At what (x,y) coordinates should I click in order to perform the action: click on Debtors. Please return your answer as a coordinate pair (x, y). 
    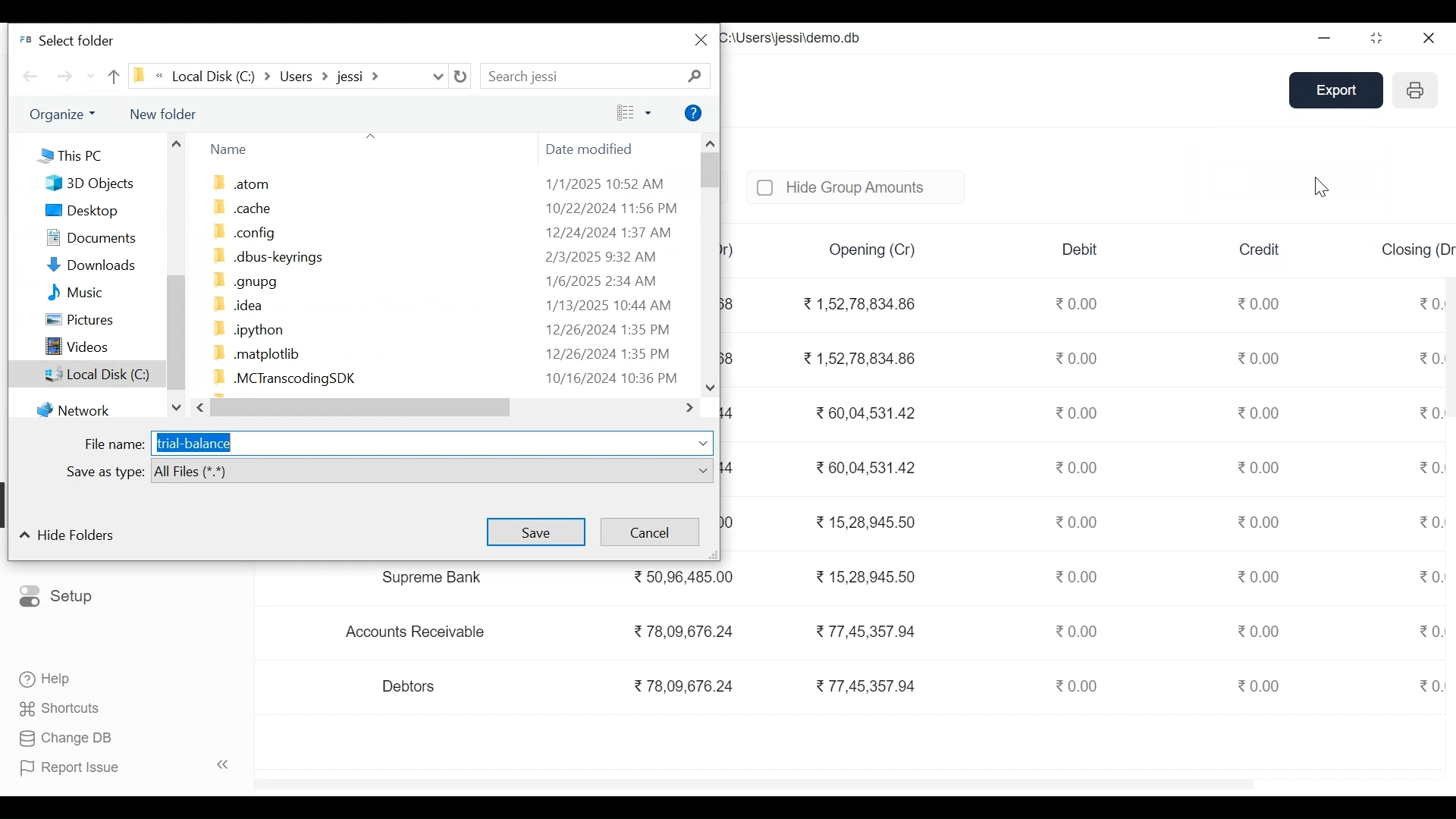
    Looking at the image, I should click on (410, 686).